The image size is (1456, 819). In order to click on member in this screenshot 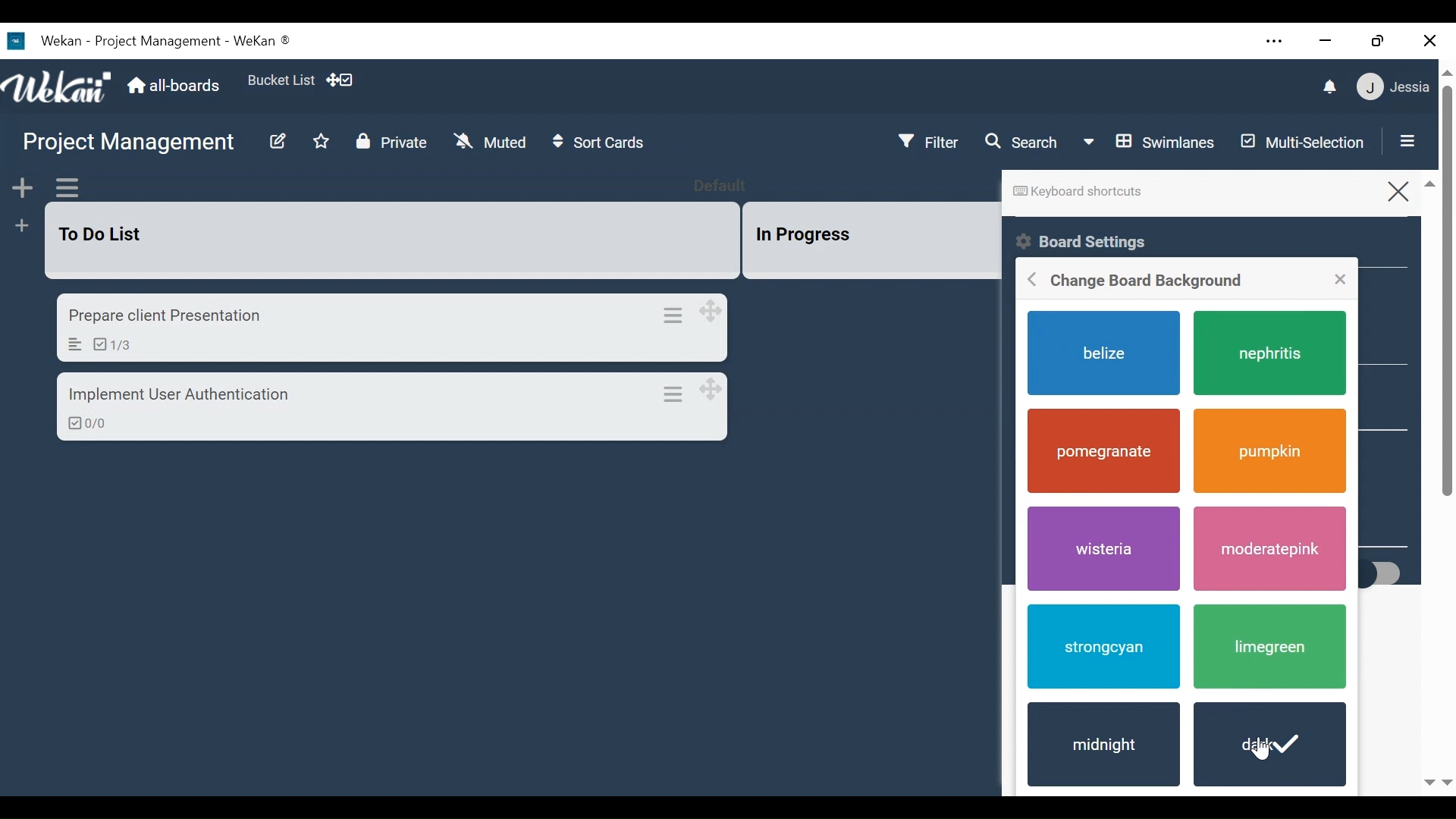, I will do `click(1395, 87)`.